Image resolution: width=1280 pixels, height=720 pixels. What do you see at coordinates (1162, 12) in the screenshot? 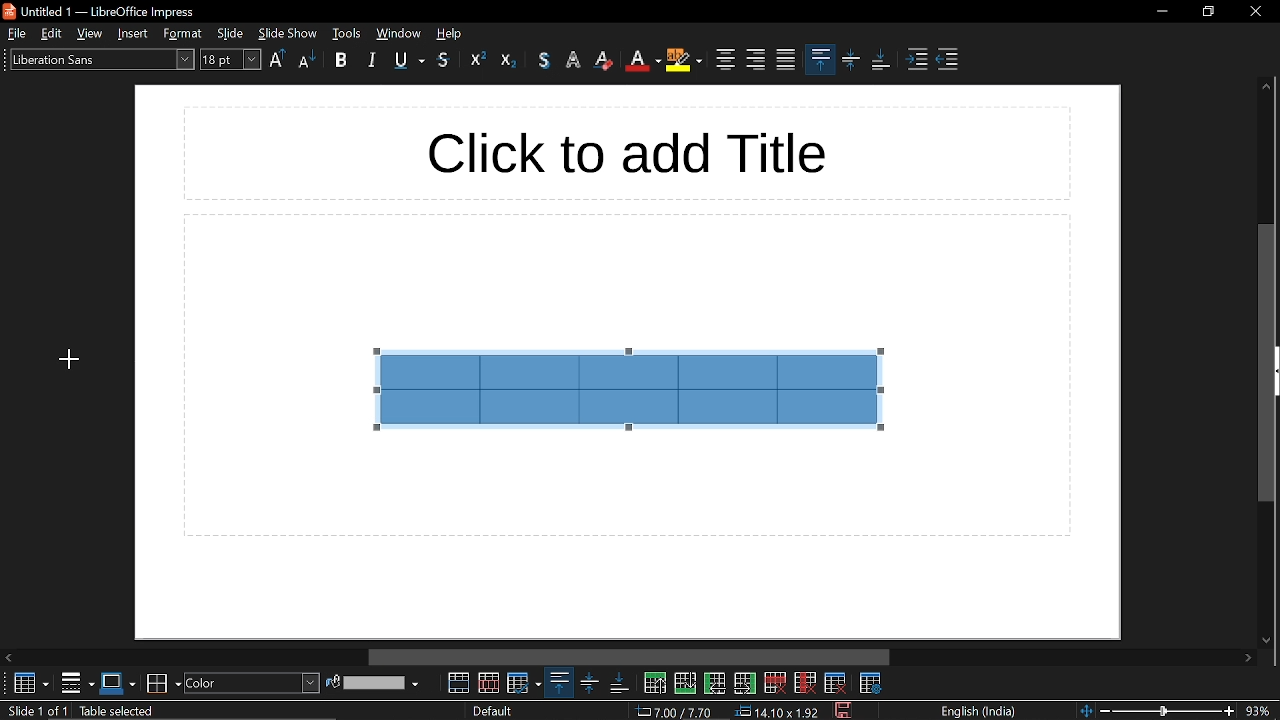
I see `minimize` at bounding box center [1162, 12].